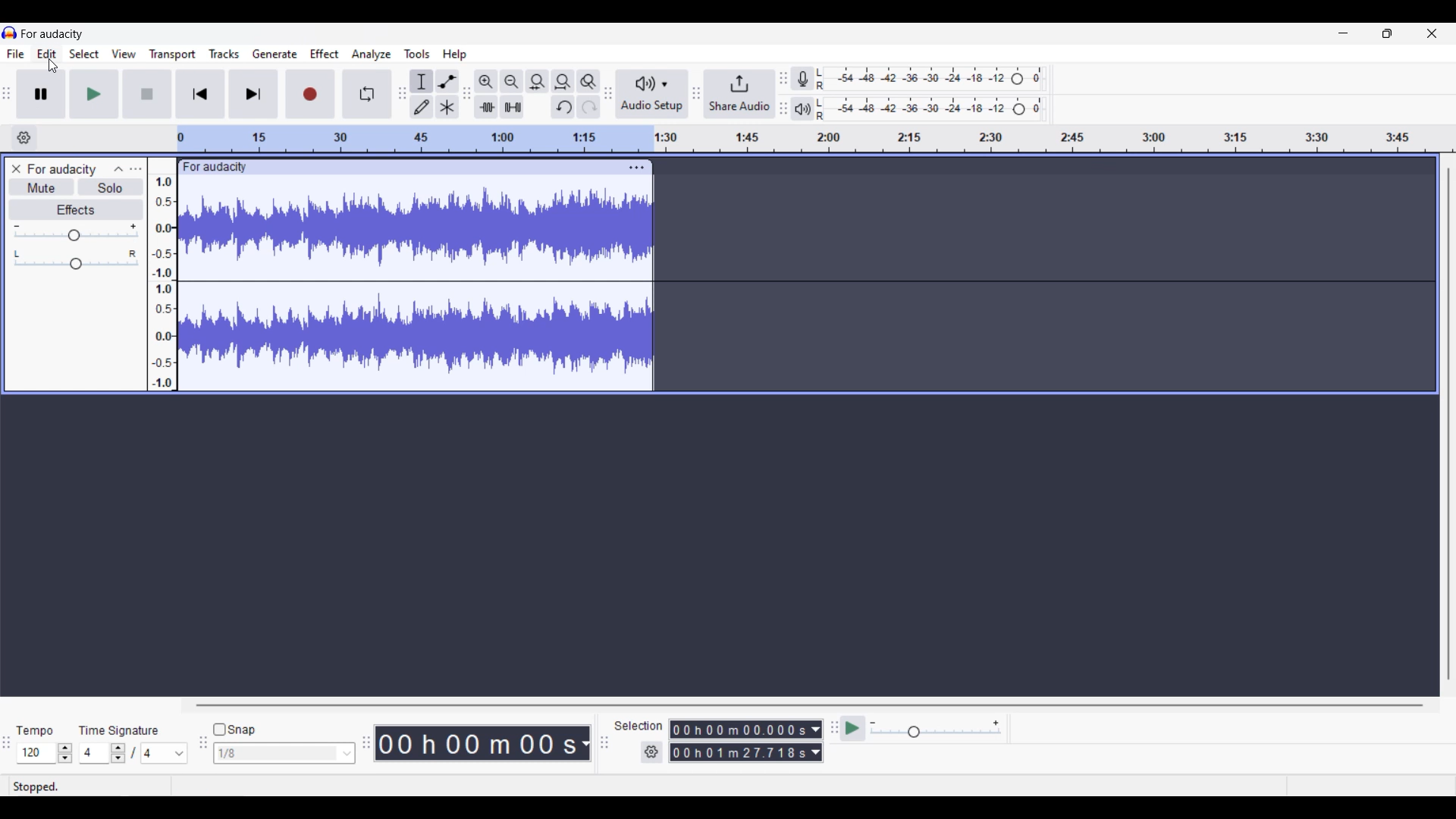 Image resolution: width=1456 pixels, height=819 pixels. What do you see at coordinates (45, 753) in the screenshot?
I see `Tempo settings` at bounding box center [45, 753].